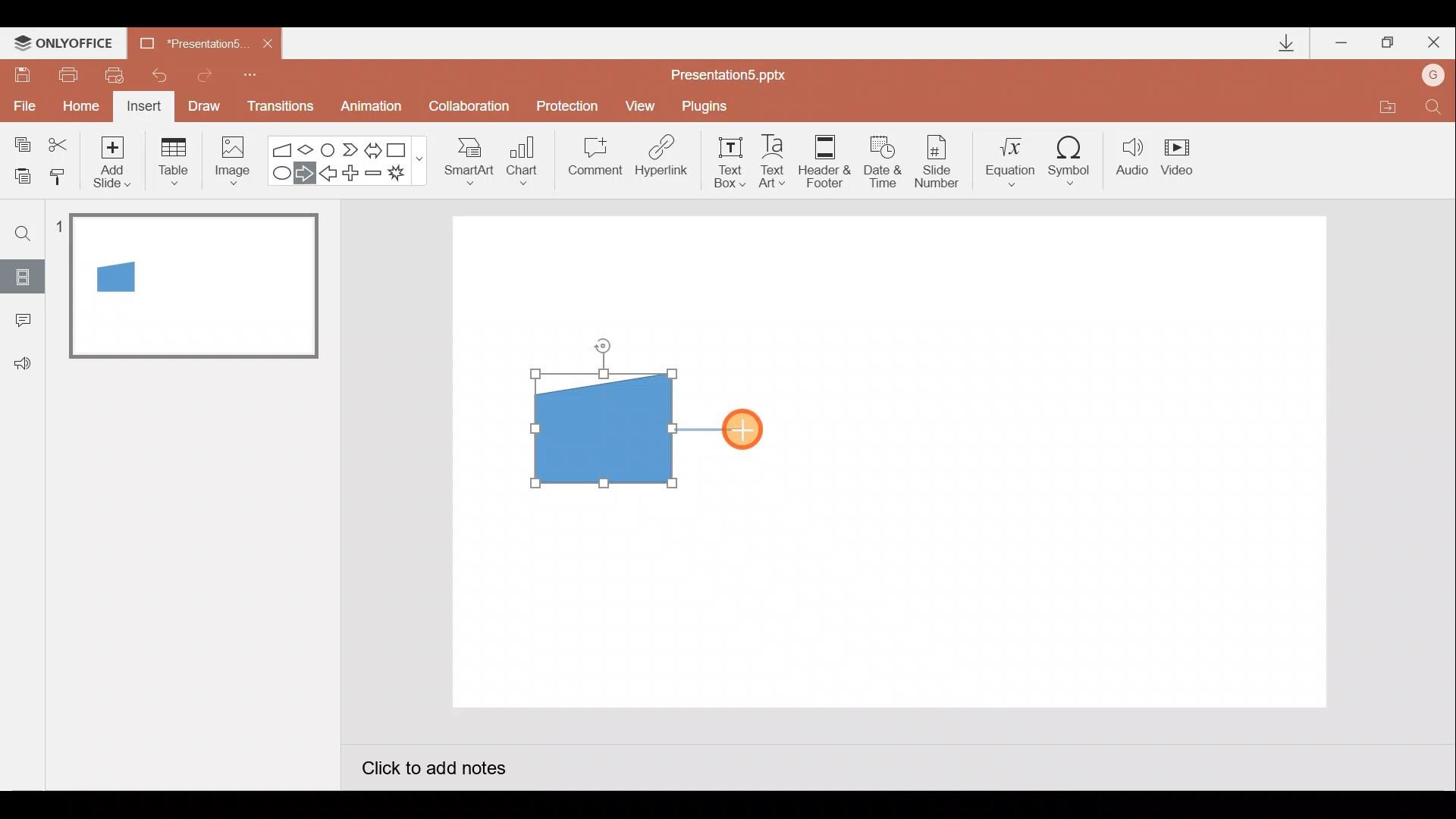  I want to click on Rectangle, so click(400, 149).